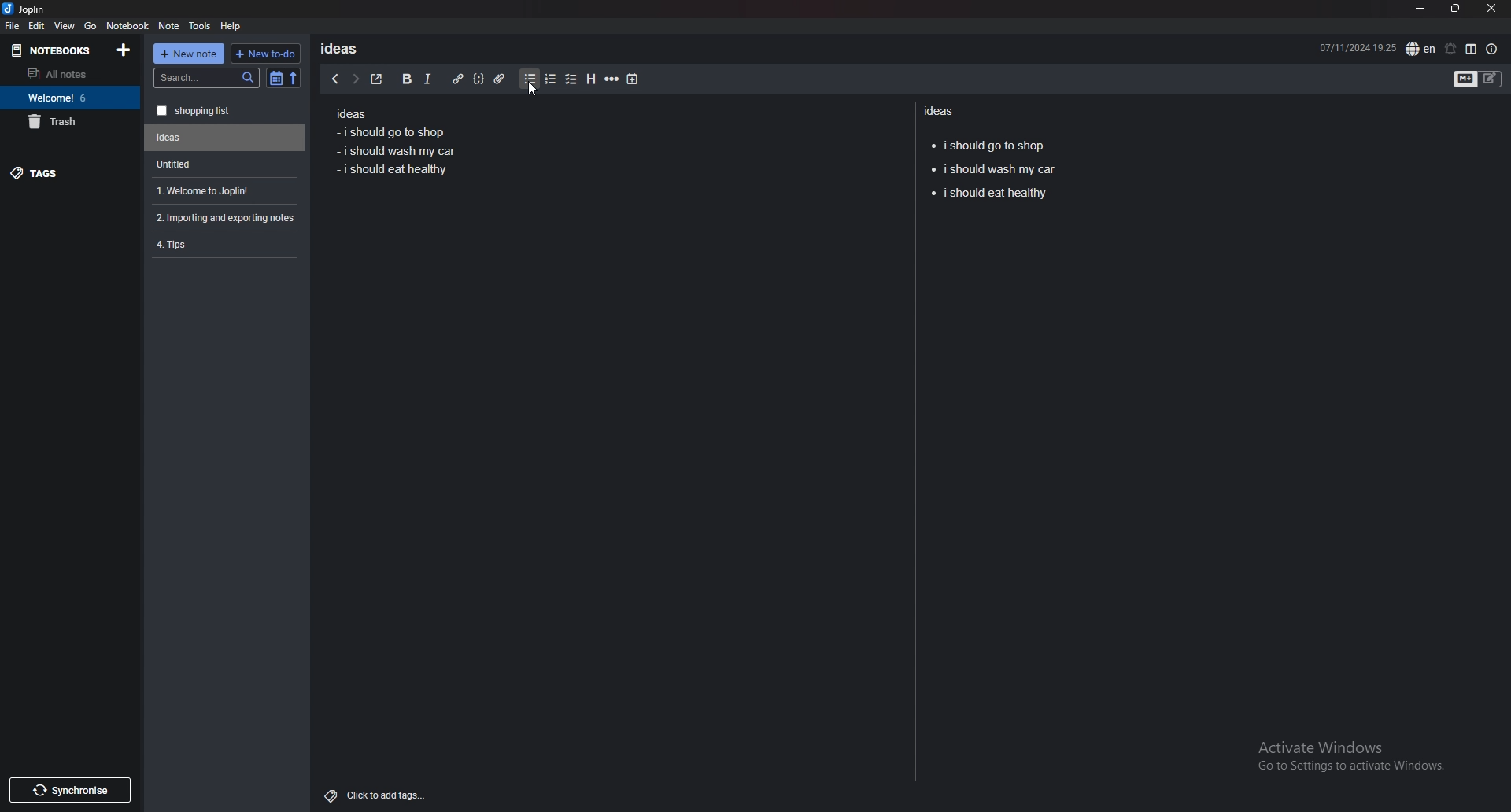  I want to click on toggle editor layout, so click(1471, 49).